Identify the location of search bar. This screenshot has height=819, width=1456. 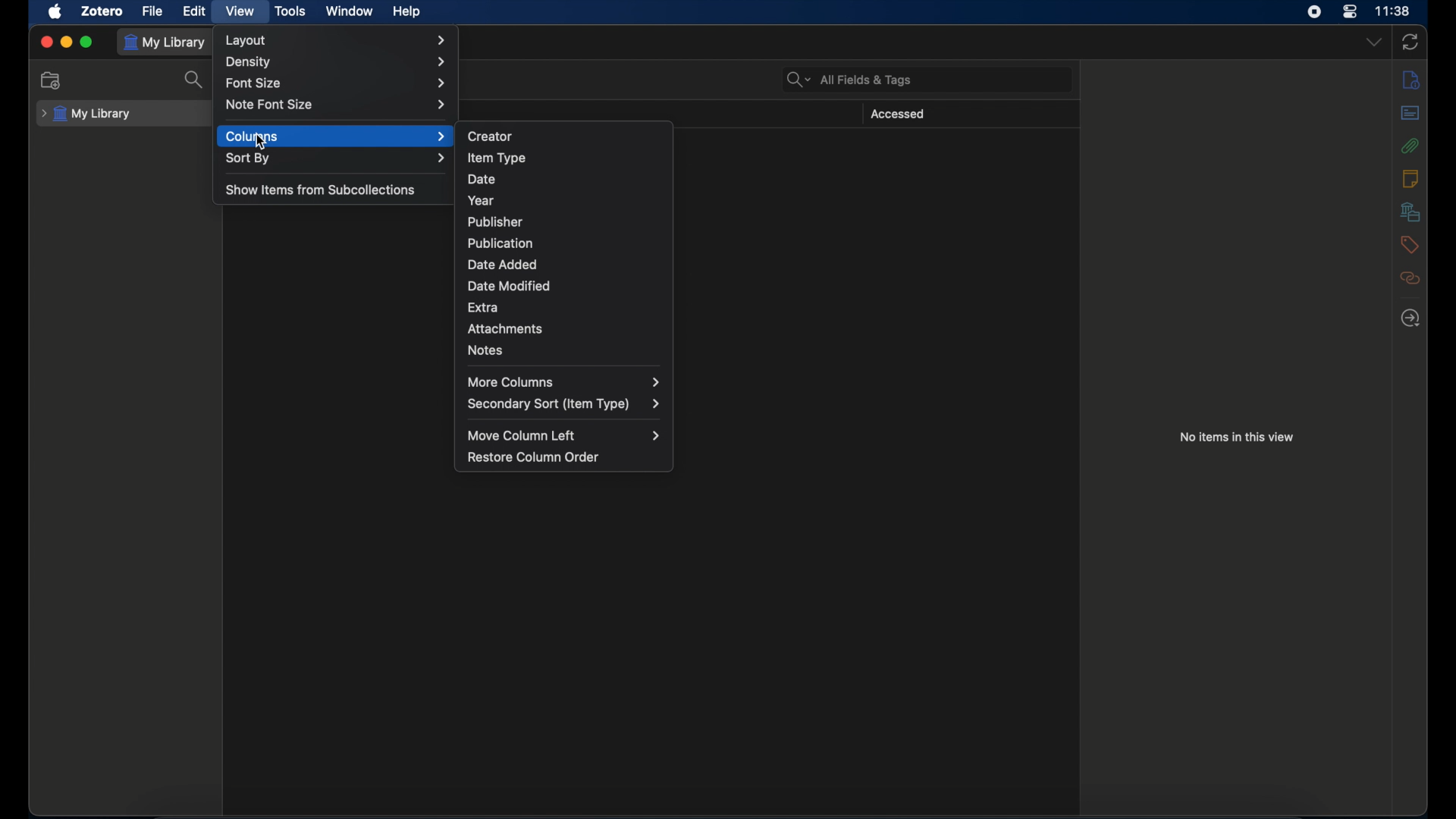
(849, 80).